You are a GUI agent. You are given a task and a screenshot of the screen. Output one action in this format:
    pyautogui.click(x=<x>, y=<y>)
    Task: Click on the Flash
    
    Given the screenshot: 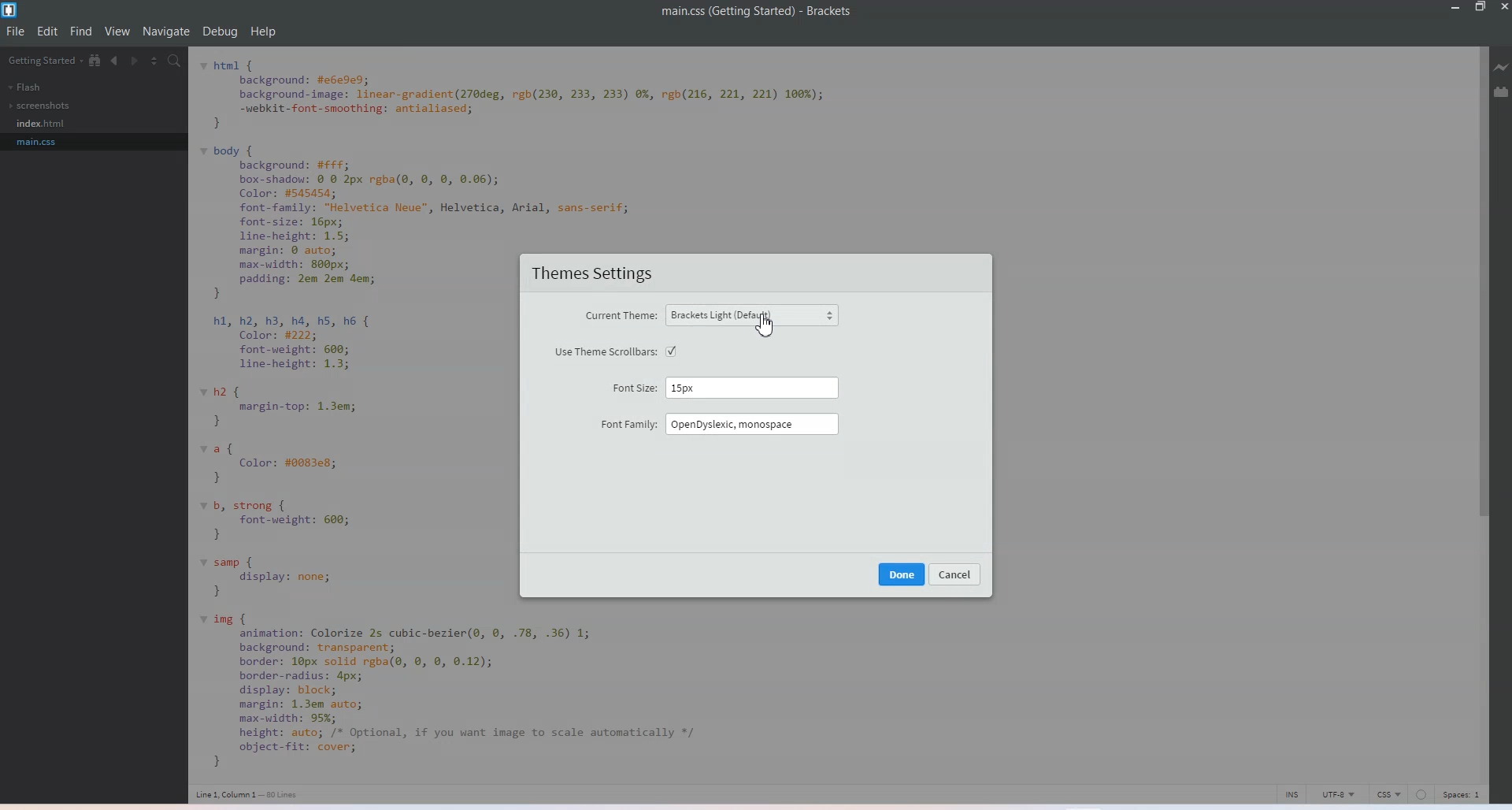 What is the action you would take?
    pyautogui.click(x=25, y=87)
    